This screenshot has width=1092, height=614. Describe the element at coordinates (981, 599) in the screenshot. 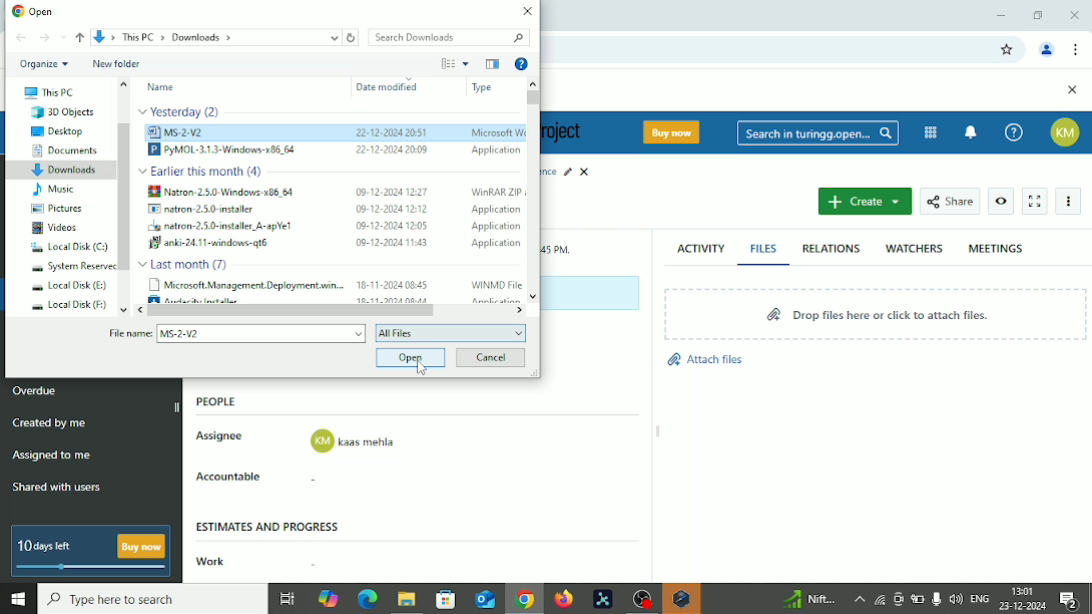

I see `Language` at that location.